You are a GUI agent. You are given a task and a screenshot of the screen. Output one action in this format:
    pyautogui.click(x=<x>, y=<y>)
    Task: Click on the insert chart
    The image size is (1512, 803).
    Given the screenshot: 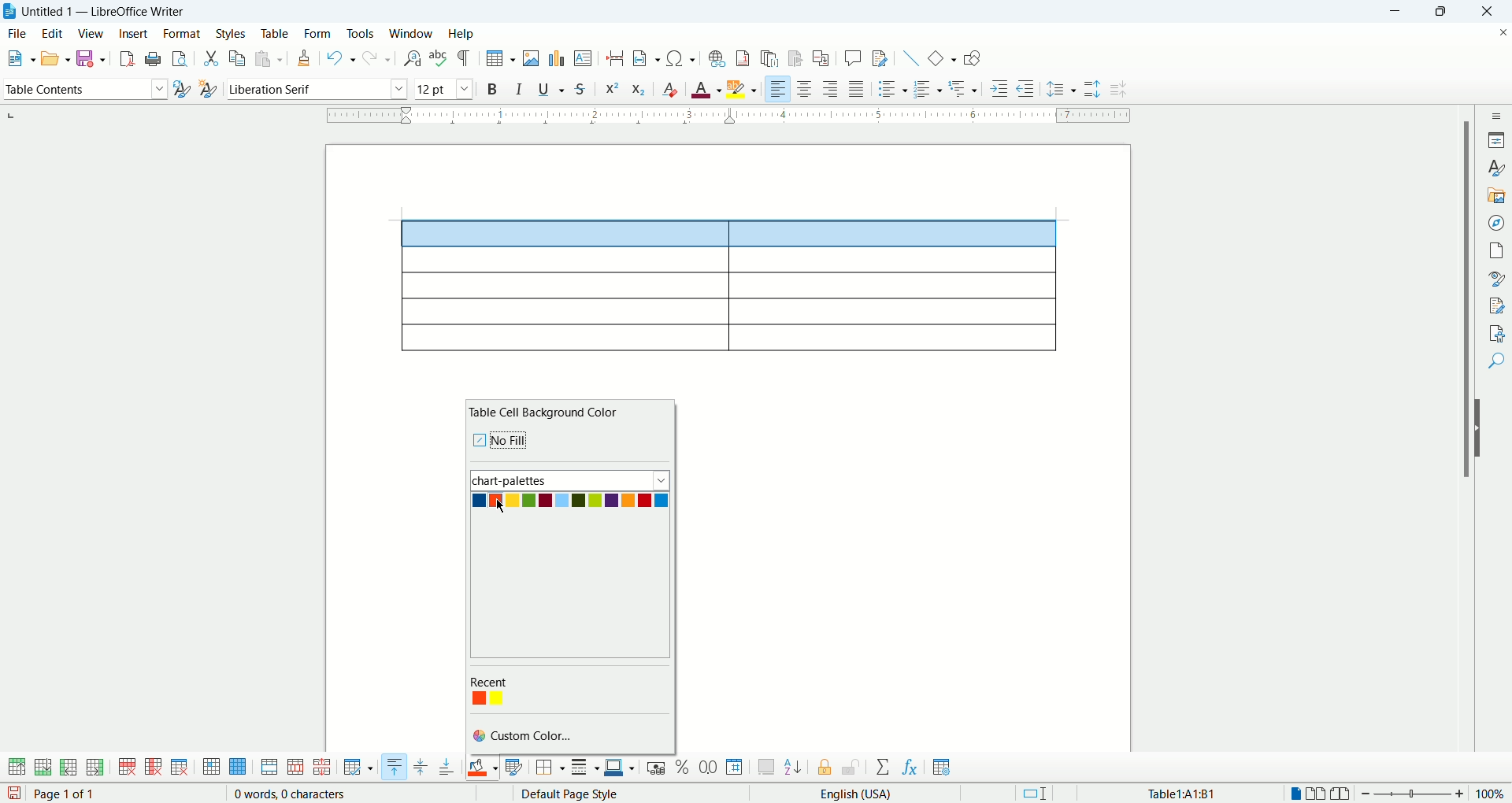 What is the action you would take?
    pyautogui.click(x=556, y=57)
    